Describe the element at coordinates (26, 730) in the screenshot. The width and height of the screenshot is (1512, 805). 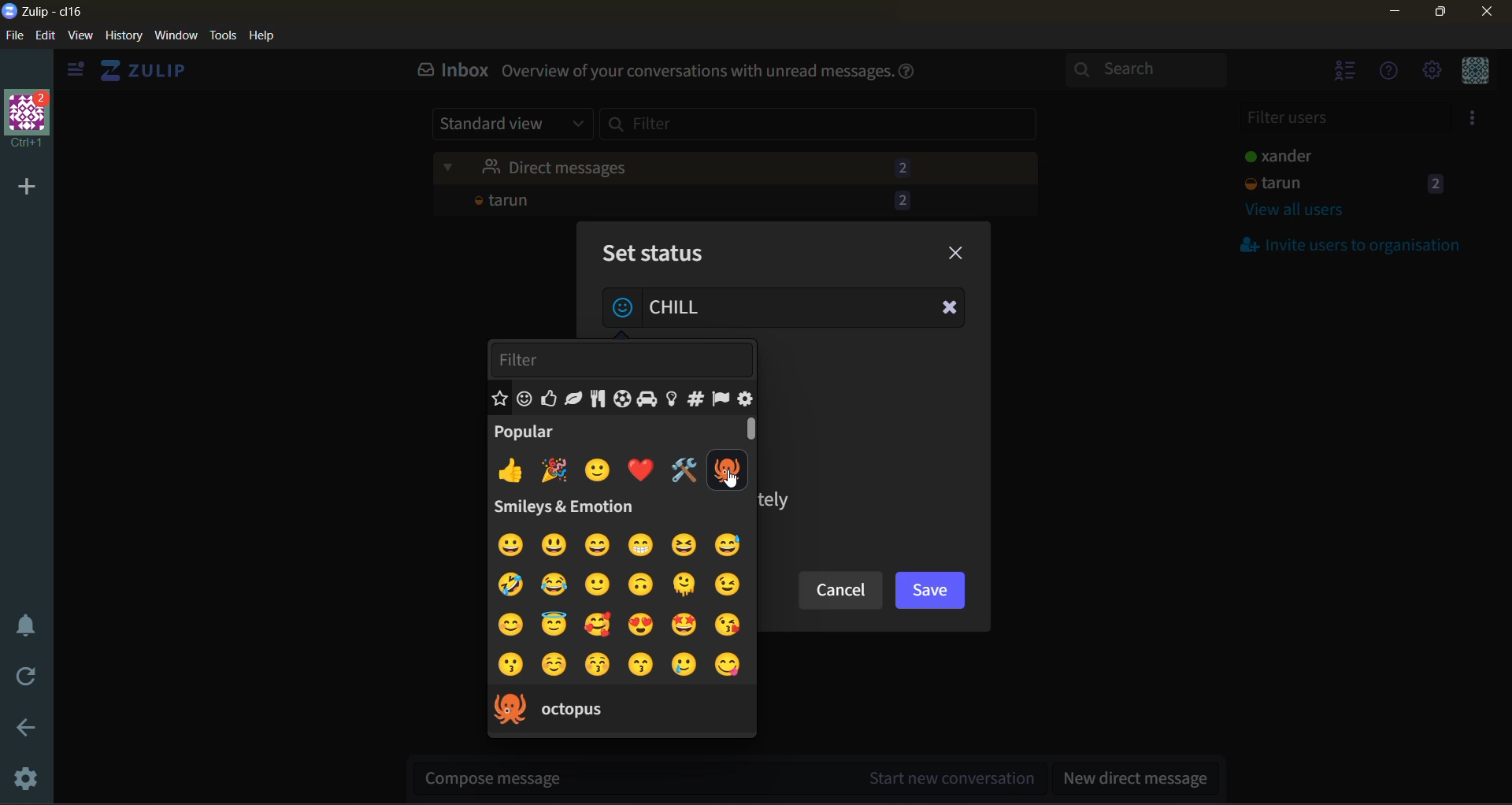
I see `go back` at that location.